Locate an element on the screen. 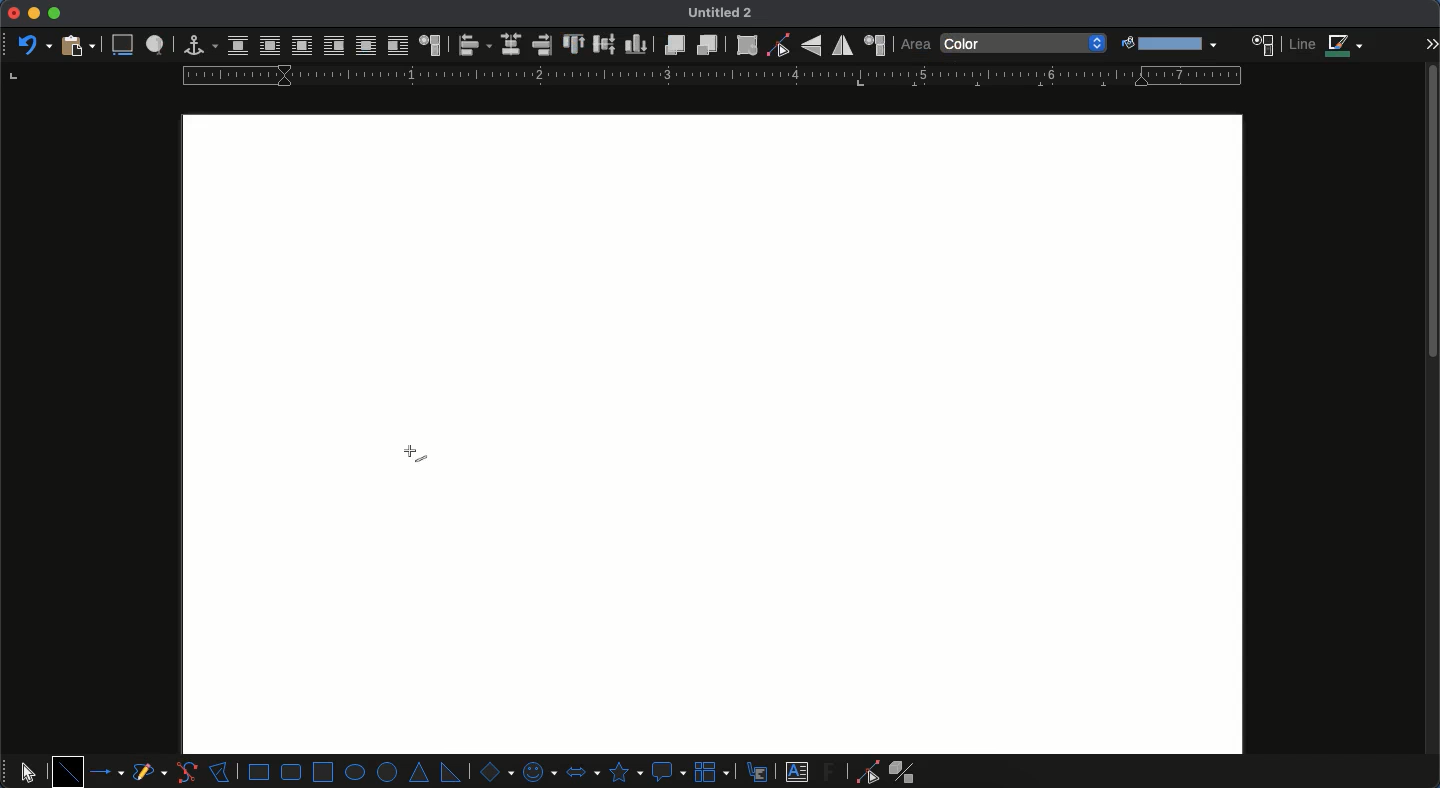 The width and height of the screenshot is (1440, 788). expand is located at coordinates (1431, 45).